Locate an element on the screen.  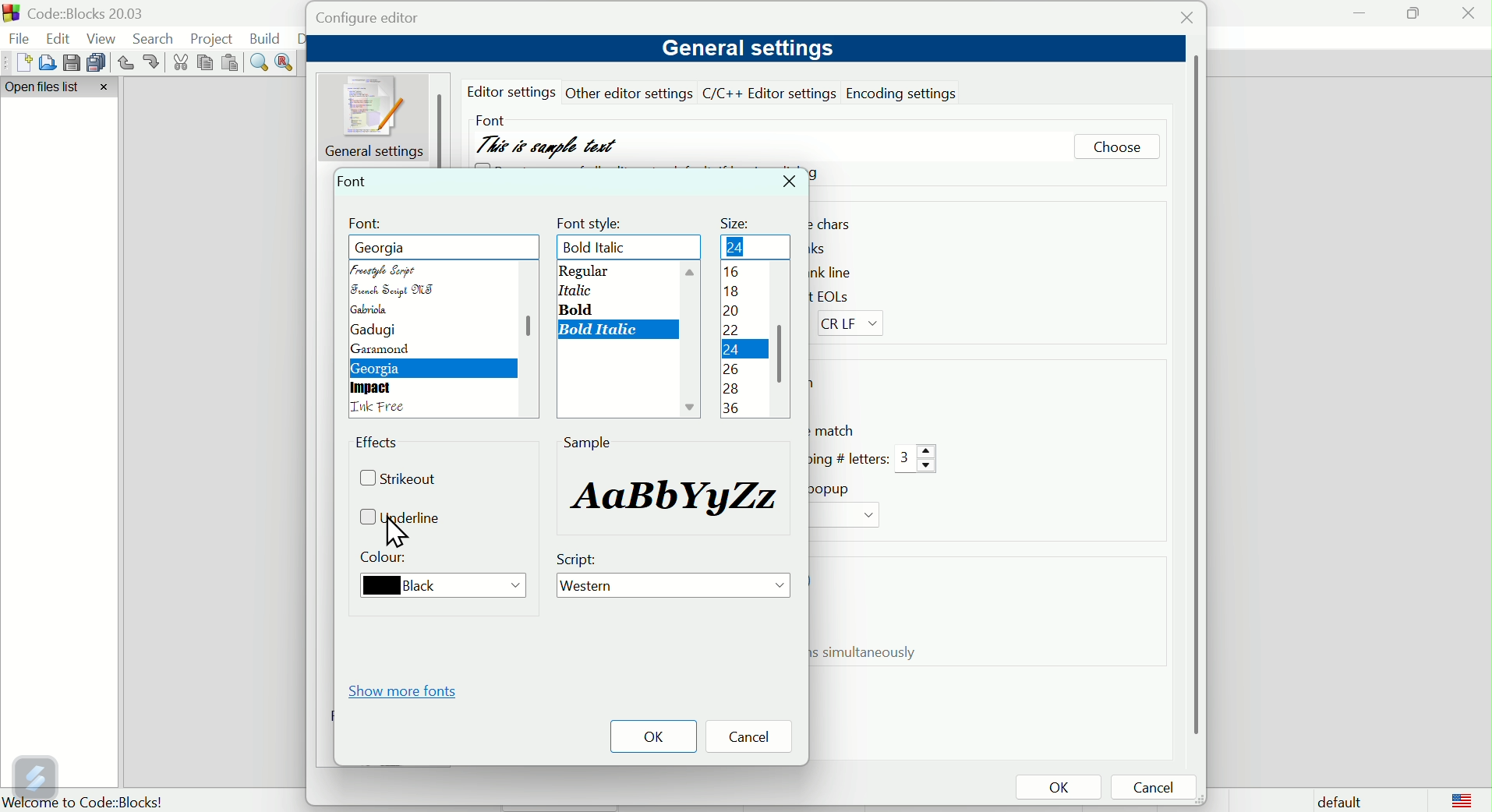
sample is located at coordinates (588, 442).